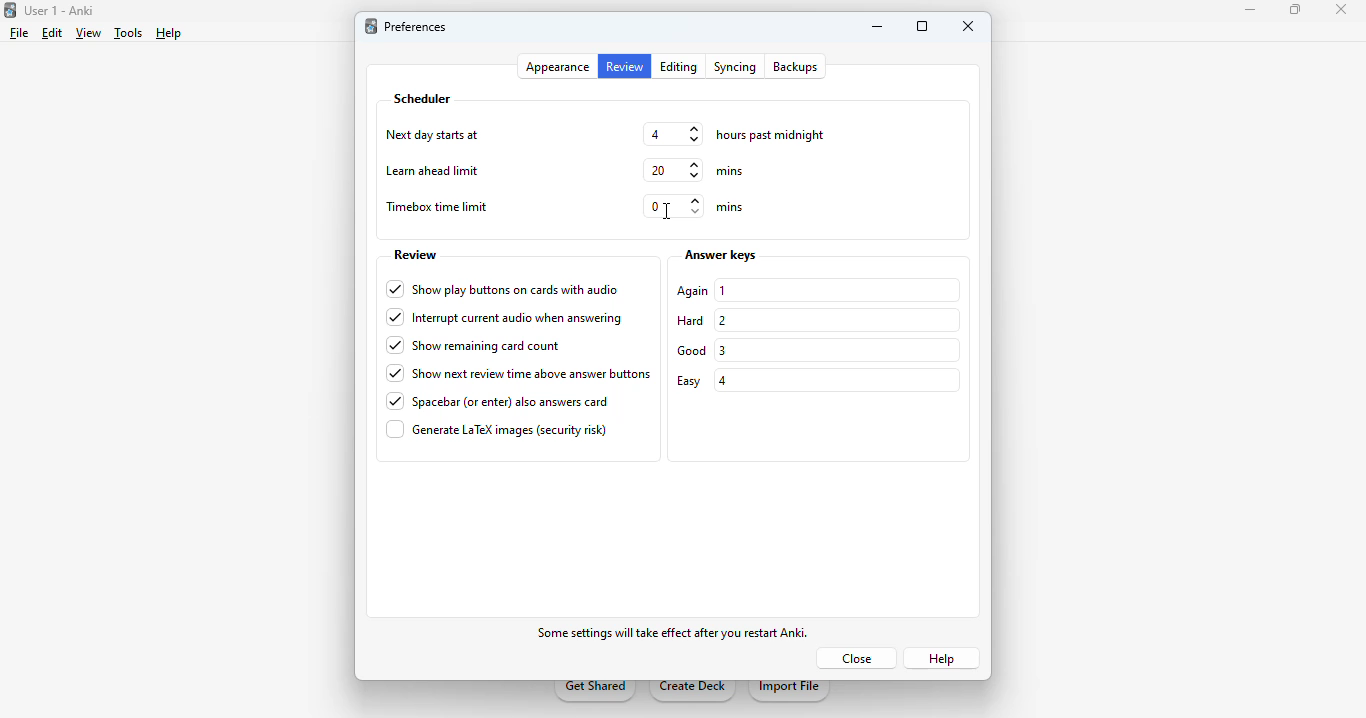  Describe the element at coordinates (473, 345) in the screenshot. I see `show remaining card count` at that location.